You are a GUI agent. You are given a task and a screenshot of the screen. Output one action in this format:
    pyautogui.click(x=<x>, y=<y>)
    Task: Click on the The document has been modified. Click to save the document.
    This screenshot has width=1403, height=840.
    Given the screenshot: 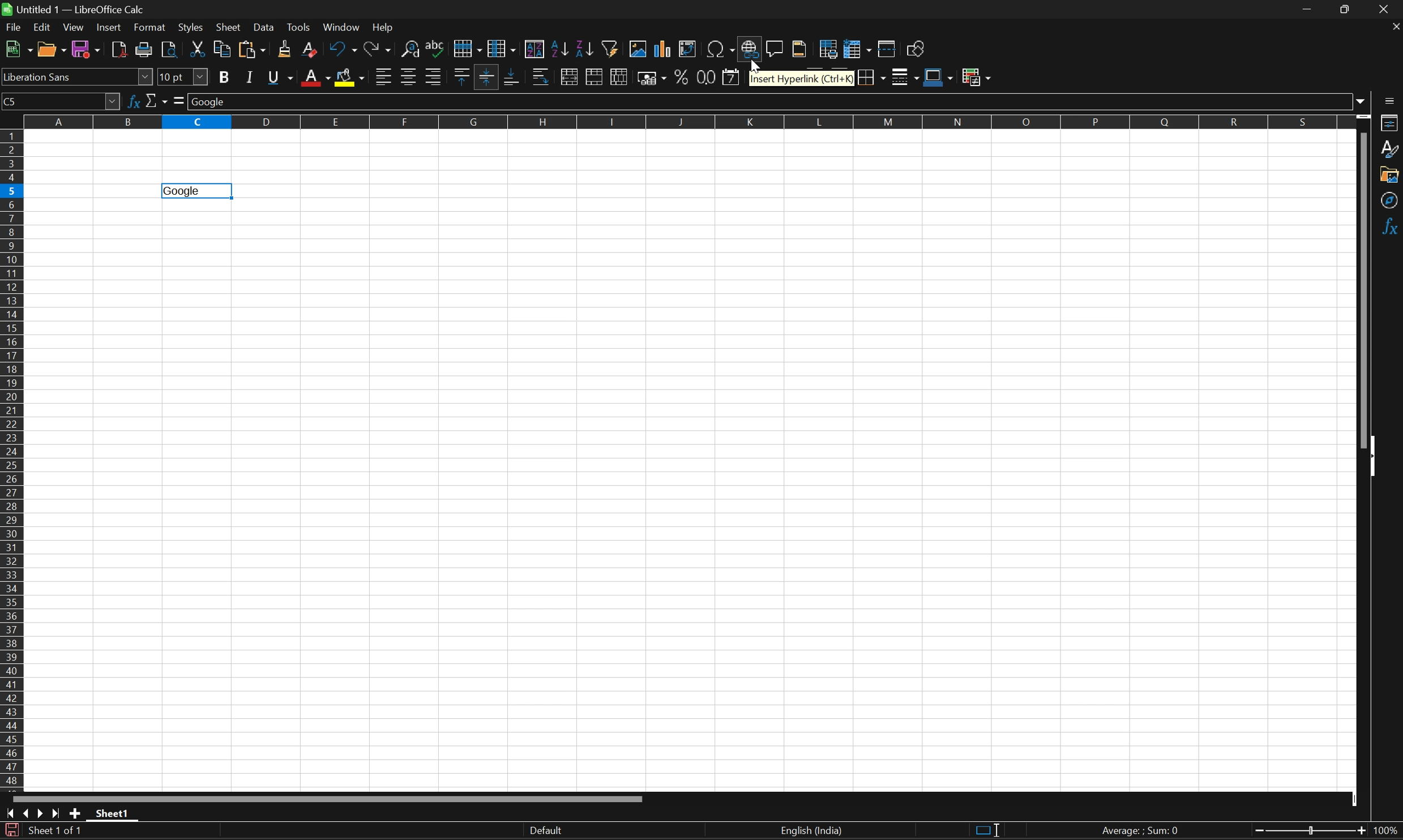 What is the action you would take?
    pyautogui.click(x=11, y=831)
    